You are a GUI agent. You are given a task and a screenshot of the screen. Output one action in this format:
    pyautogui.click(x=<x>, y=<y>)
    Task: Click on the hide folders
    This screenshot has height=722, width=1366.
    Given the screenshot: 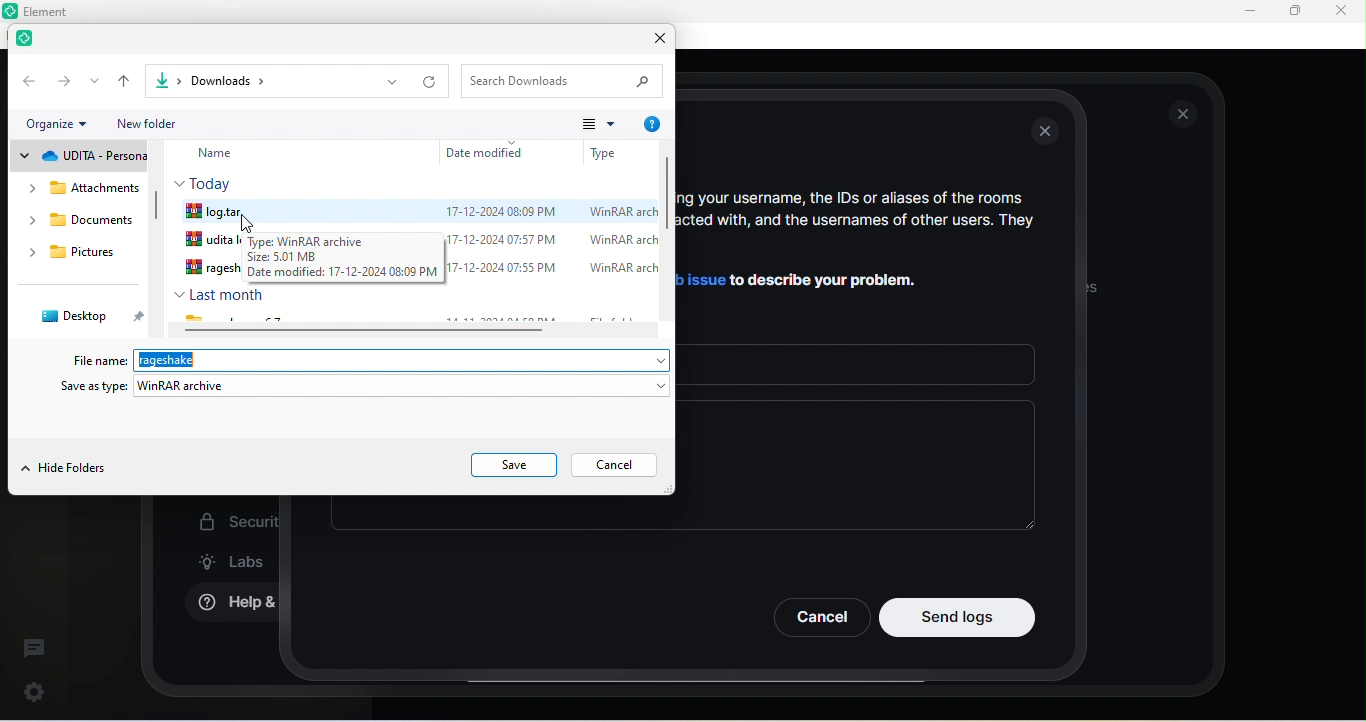 What is the action you would take?
    pyautogui.click(x=65, y=470)
    